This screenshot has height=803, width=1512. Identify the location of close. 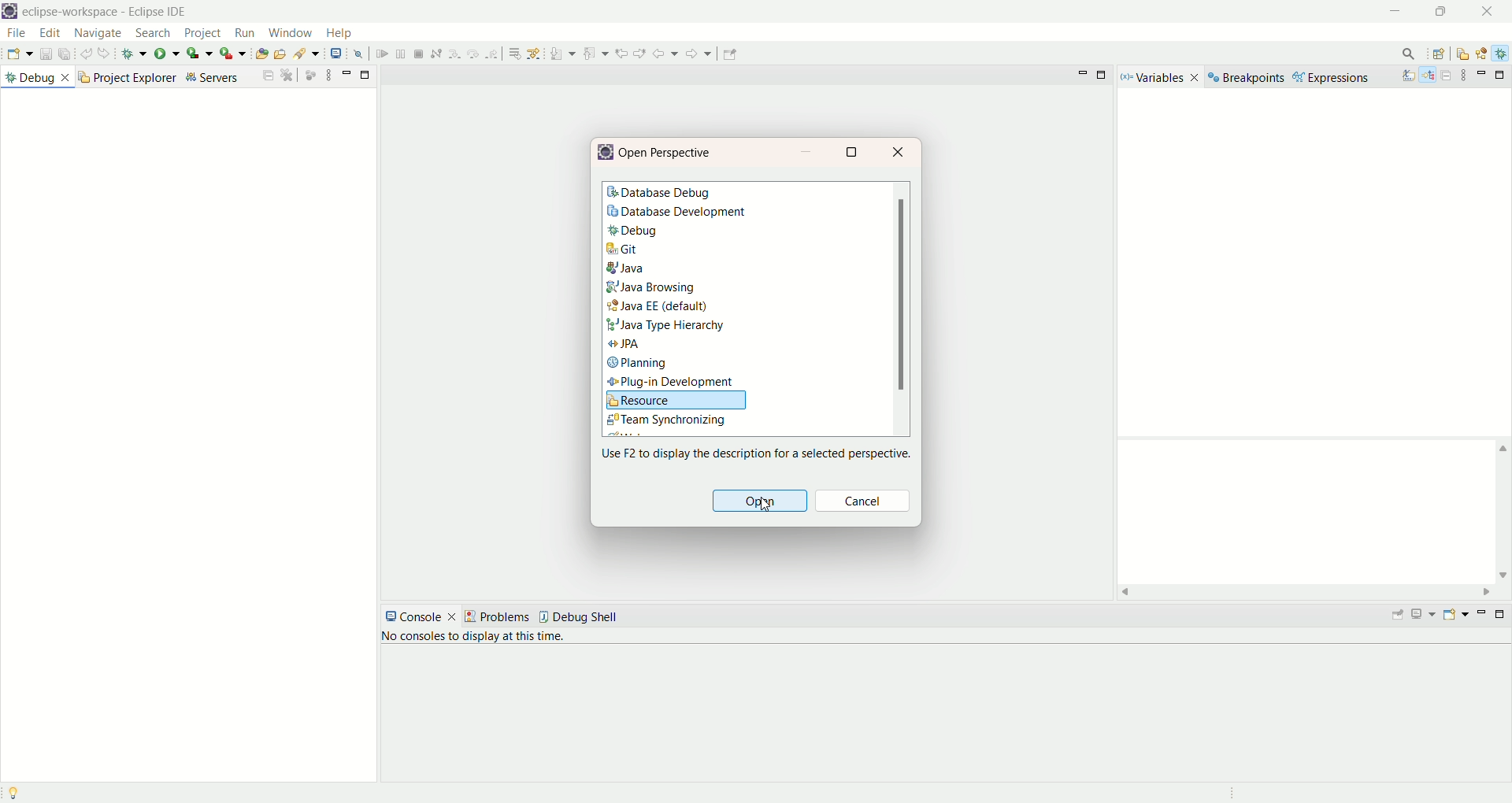
(1487, 11).